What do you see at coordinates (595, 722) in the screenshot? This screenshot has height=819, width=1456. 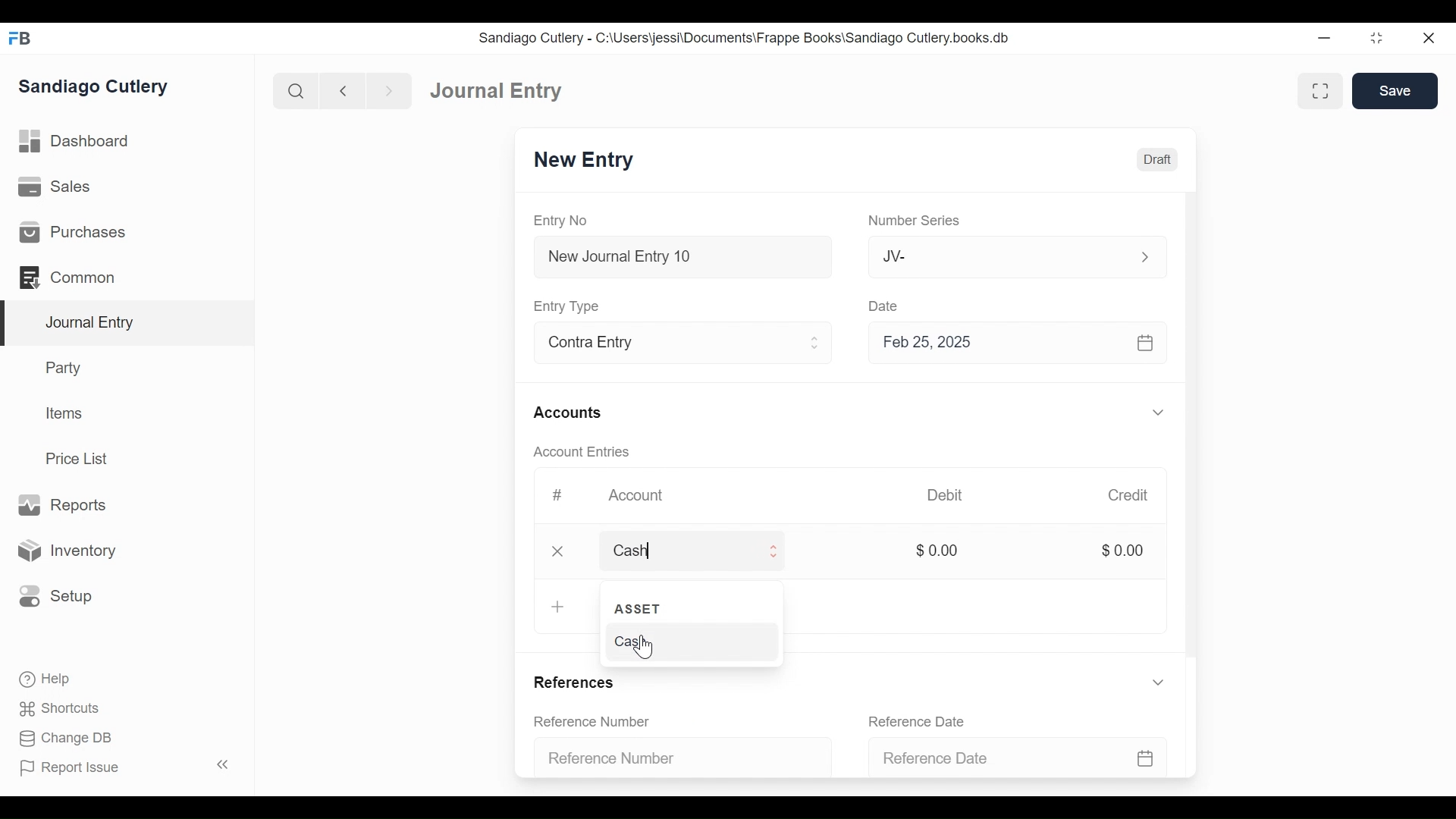 I see `Reference Number` at bounding box center [595, 722].